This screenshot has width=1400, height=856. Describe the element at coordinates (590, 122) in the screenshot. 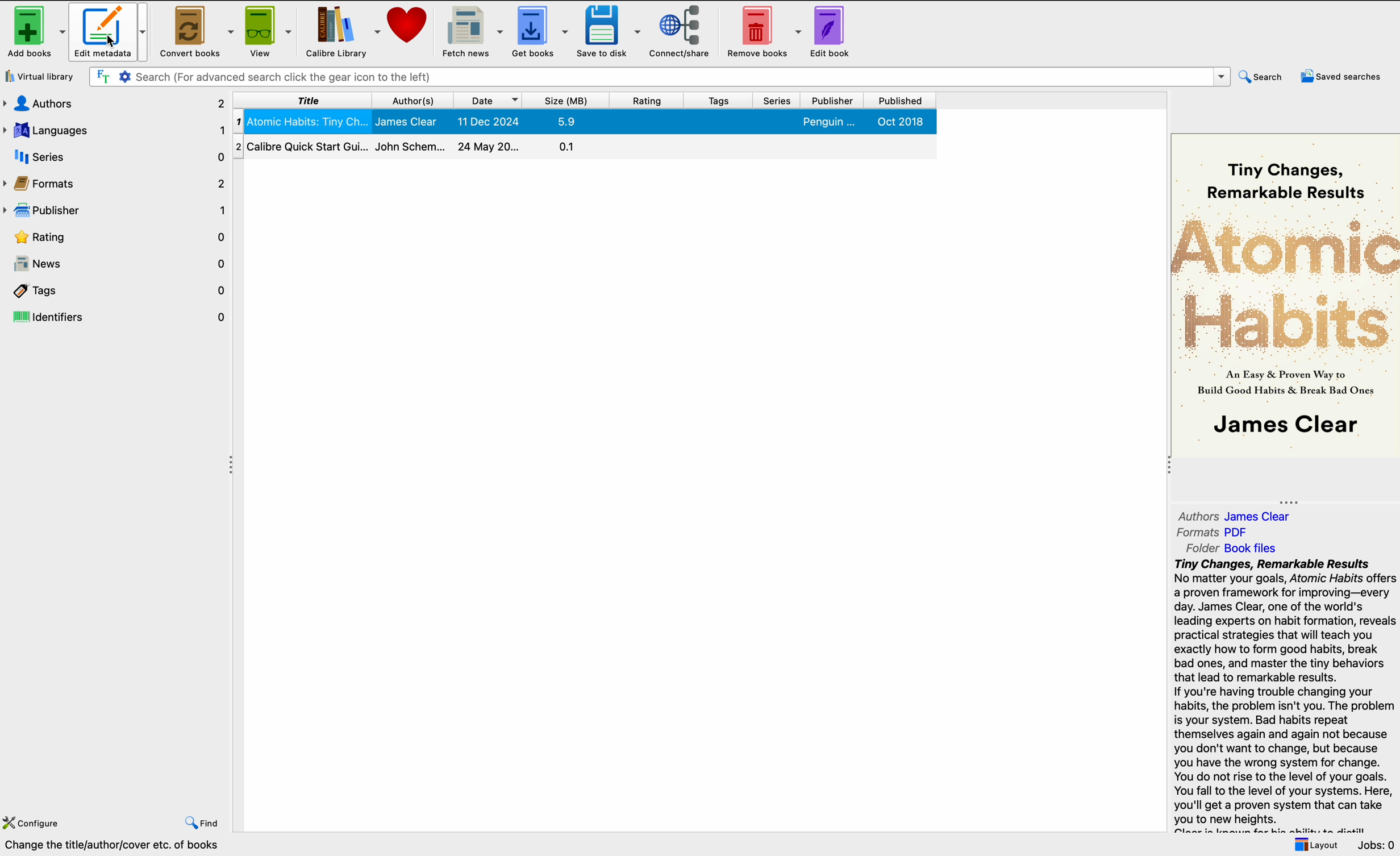

I see `selected first book` at that location.